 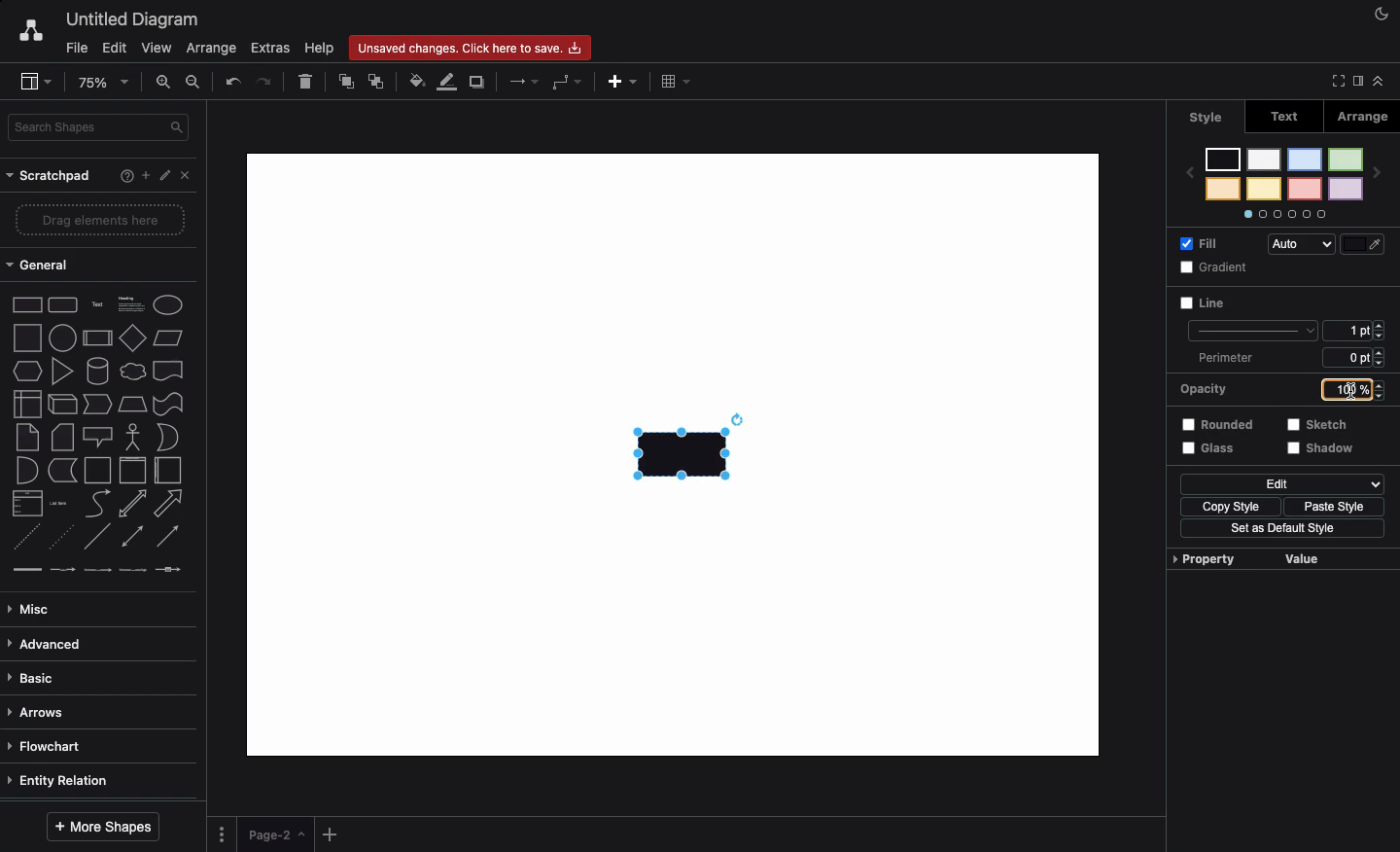 I want to click on cylinder, so click(x=95, y=372).